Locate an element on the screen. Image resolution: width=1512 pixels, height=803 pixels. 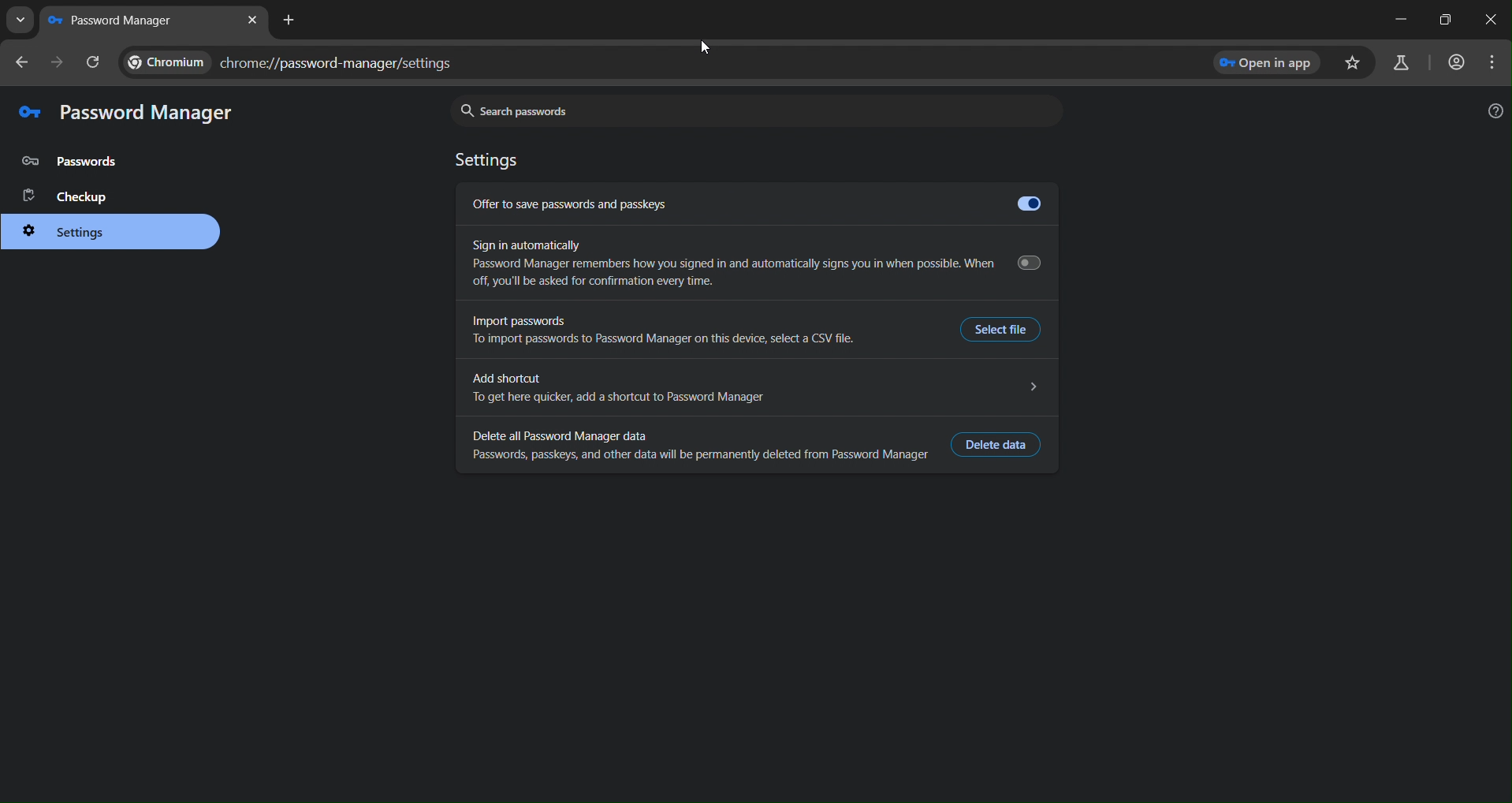
Select file is located at coordinates (1000, 329).